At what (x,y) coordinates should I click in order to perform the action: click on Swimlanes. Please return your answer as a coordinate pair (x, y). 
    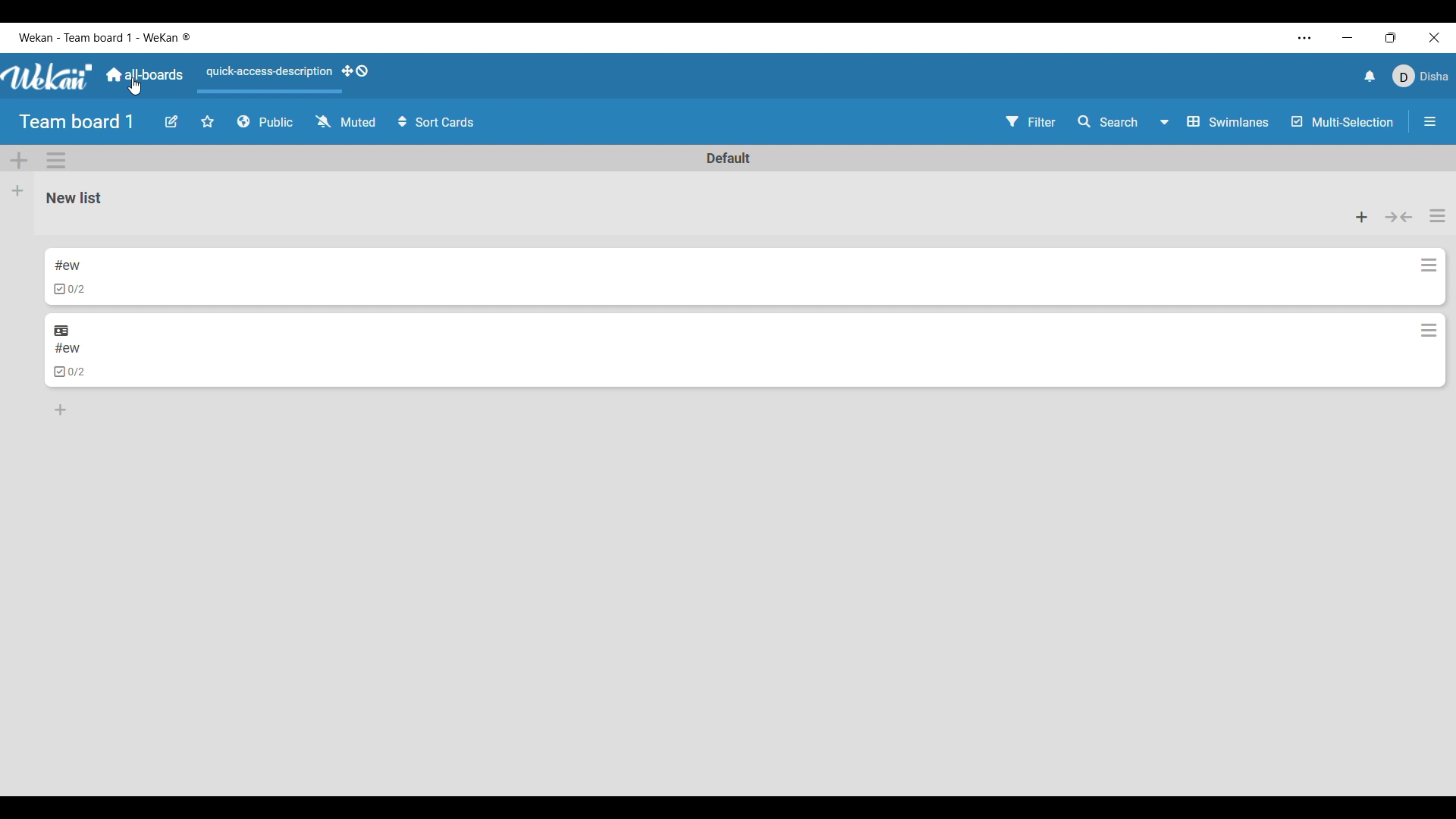
    Looking at the image, I should click on (1227, 122).